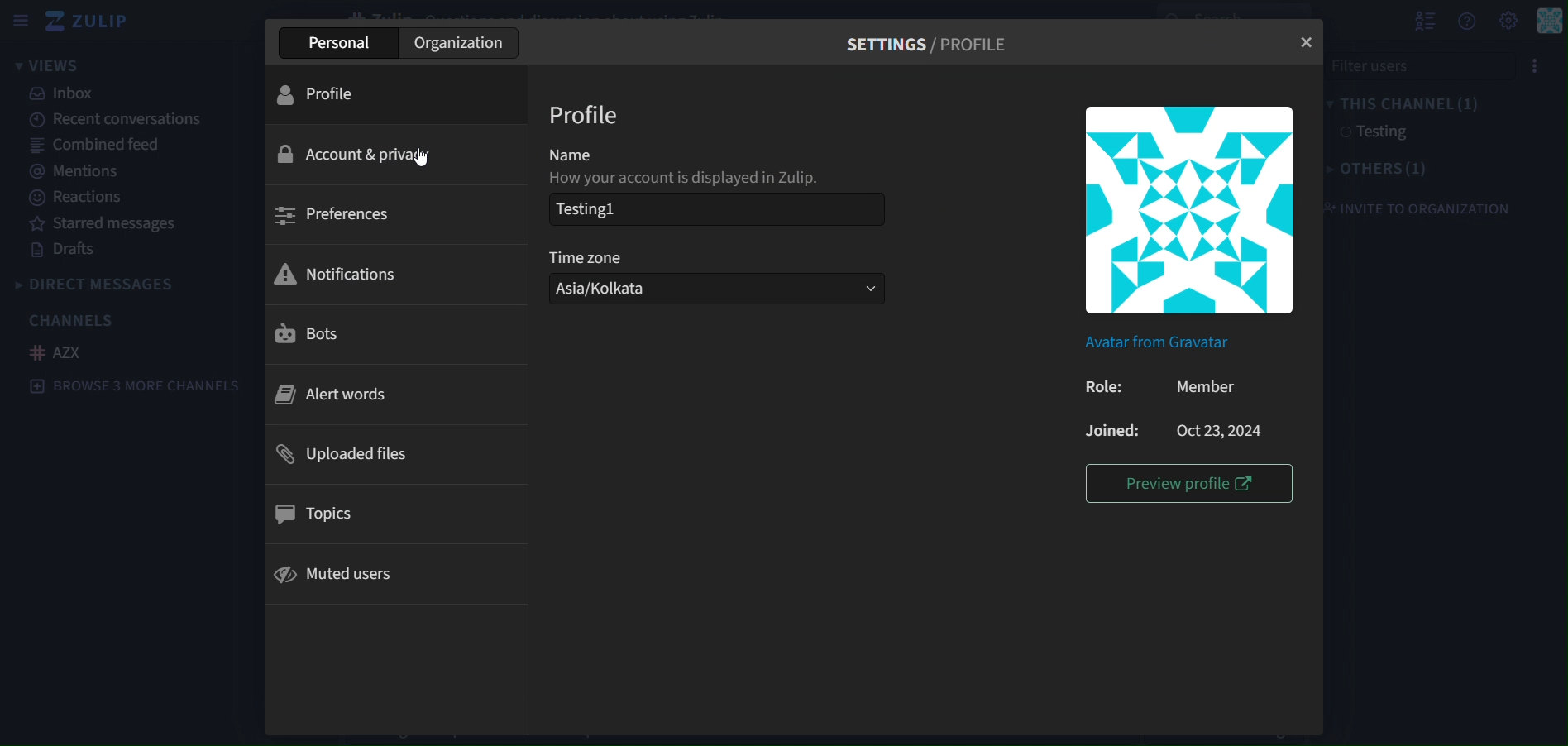 The image size is (1568, 746). I want to click on muted users, so click(341, 572).